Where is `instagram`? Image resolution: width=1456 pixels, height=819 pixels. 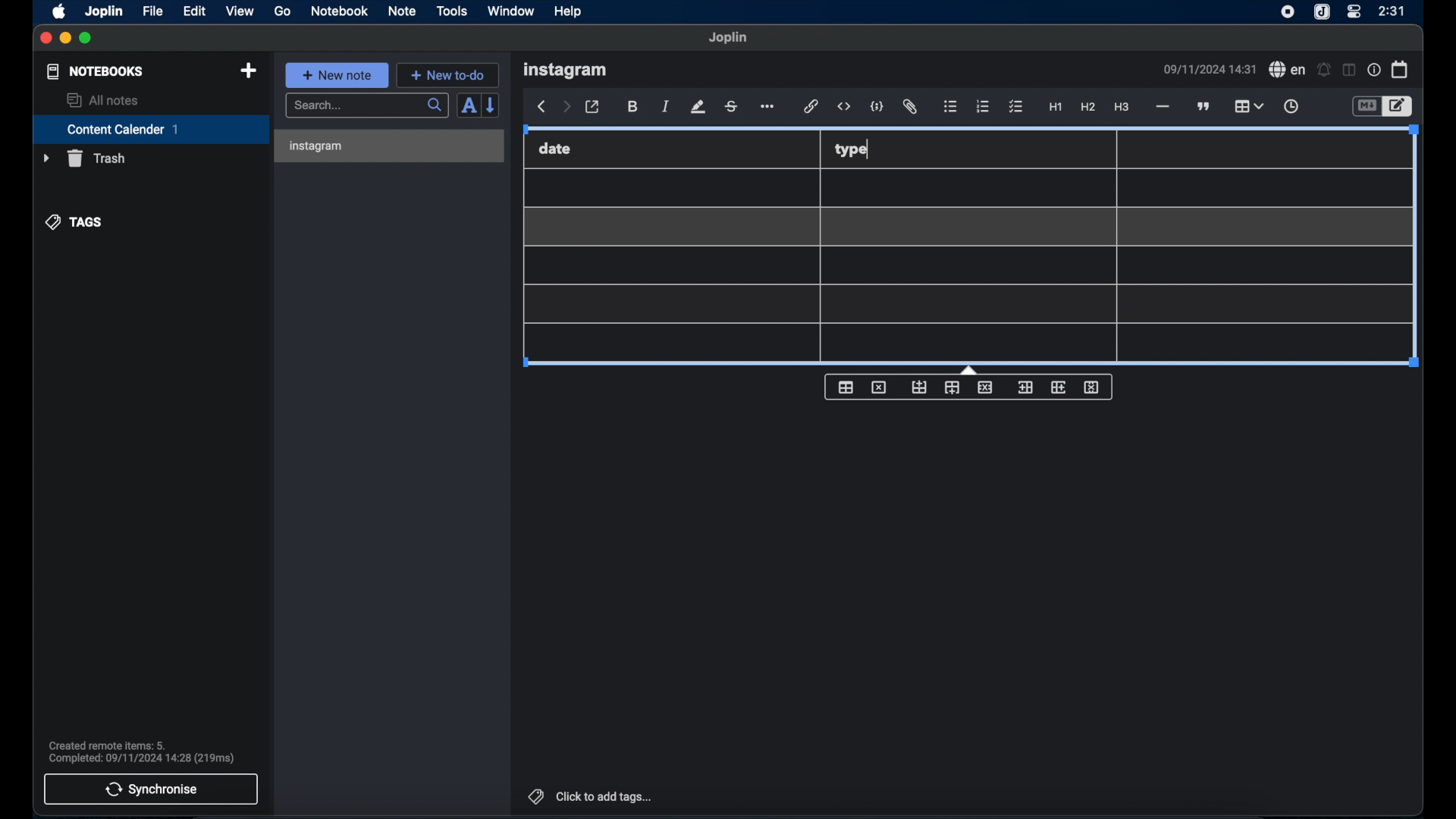
instagram is located at coordinates (565, 71).